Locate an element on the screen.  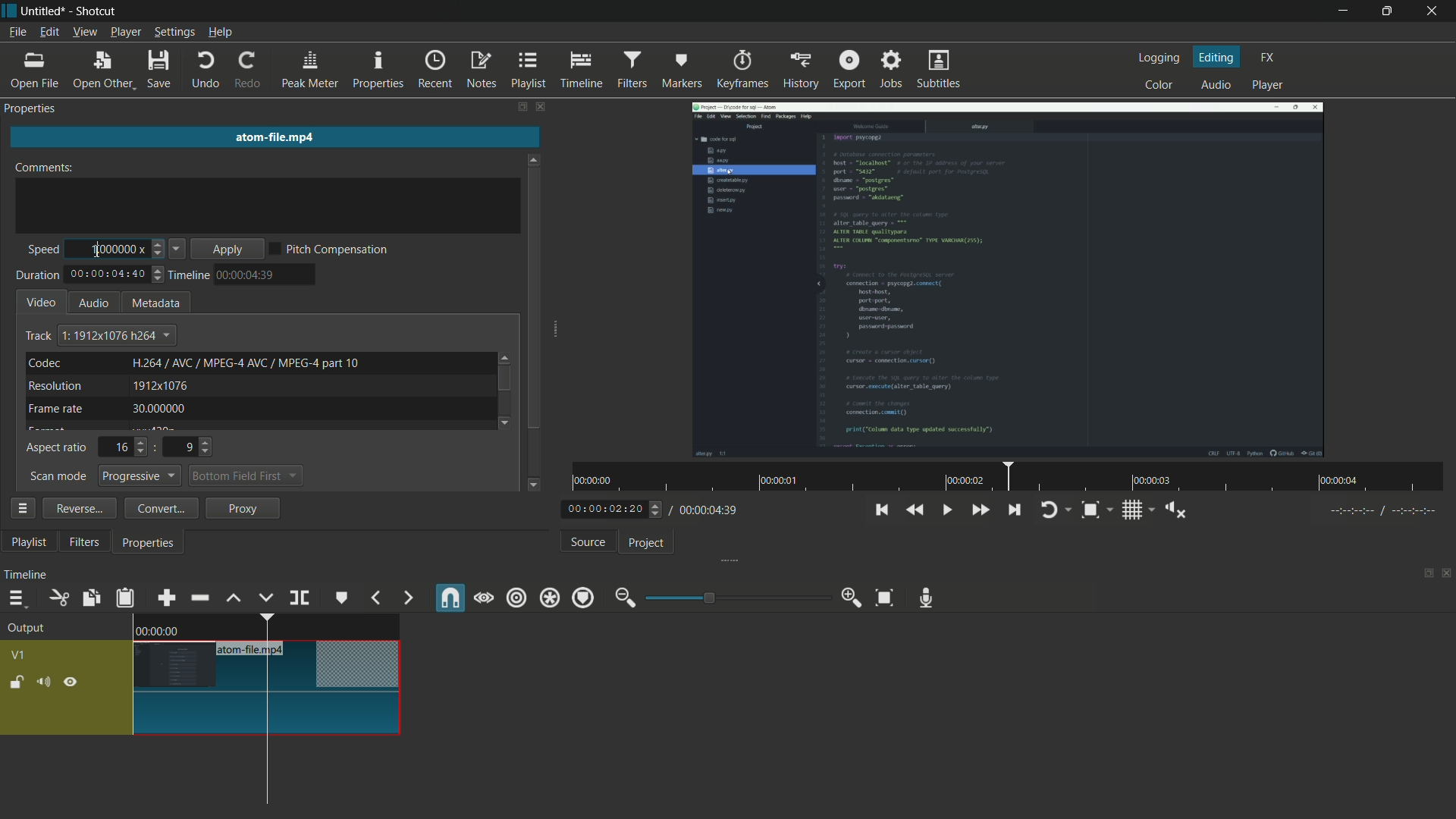
create or edit marker is located at coordinates (339, 598).